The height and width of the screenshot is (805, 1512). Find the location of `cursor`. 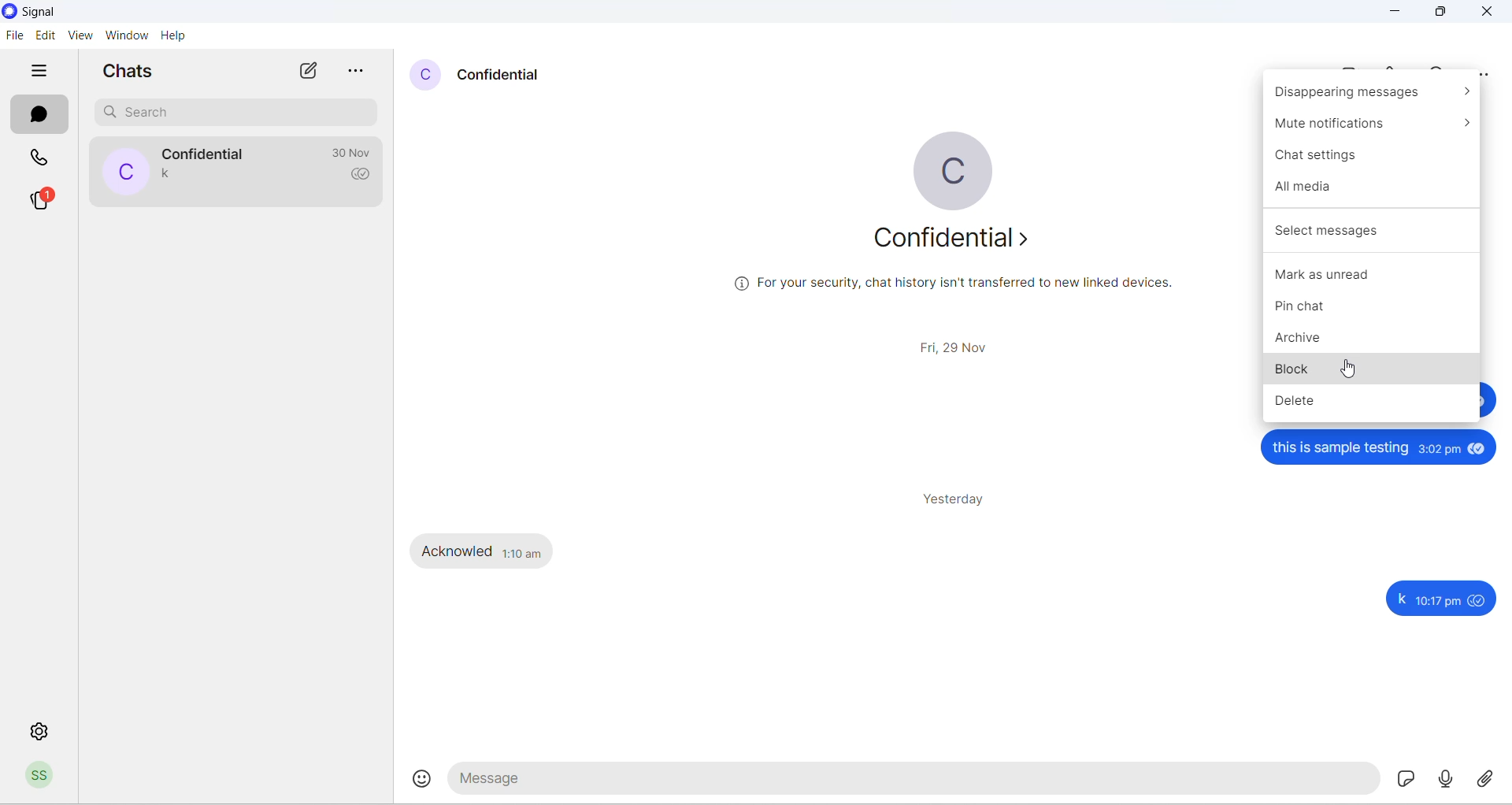

cursor is located at coordinates (1351, 372).